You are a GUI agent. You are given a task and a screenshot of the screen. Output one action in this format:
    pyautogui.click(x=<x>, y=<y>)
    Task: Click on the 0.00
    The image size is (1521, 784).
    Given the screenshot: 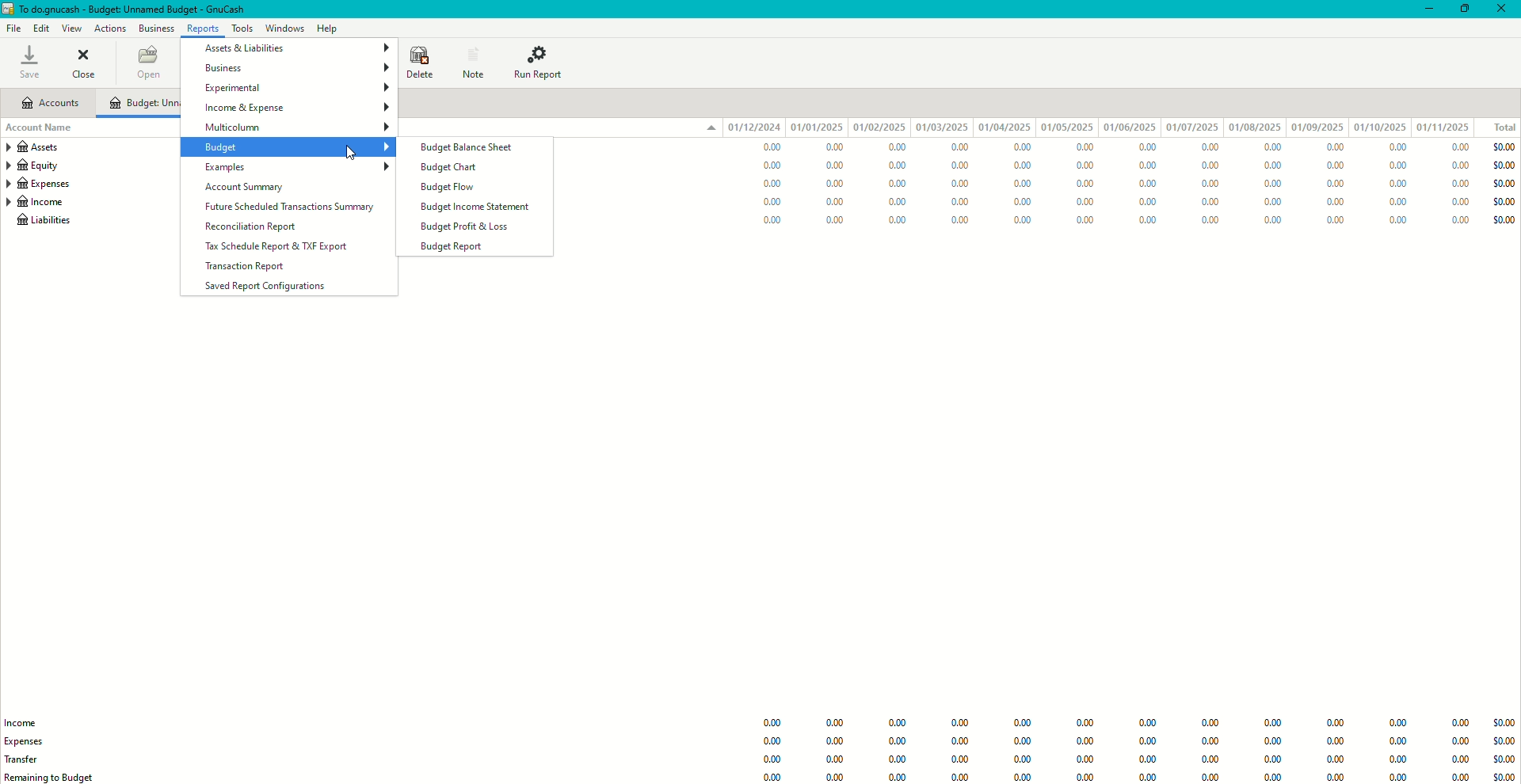 What is the action you would take?
    pyautogui.click(x=951, y=148)
    